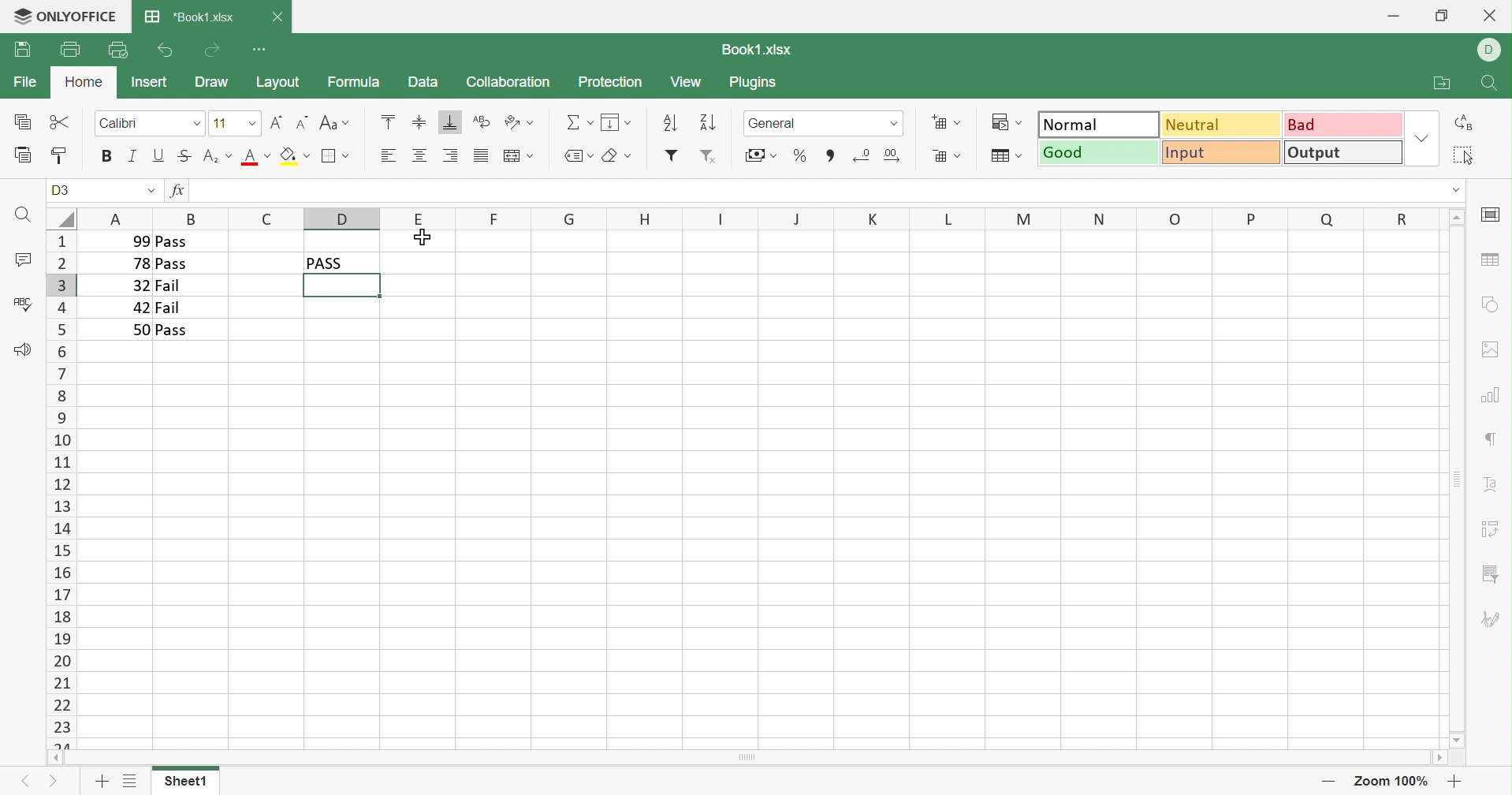  I want to click on Align middle, so click(417, 121).